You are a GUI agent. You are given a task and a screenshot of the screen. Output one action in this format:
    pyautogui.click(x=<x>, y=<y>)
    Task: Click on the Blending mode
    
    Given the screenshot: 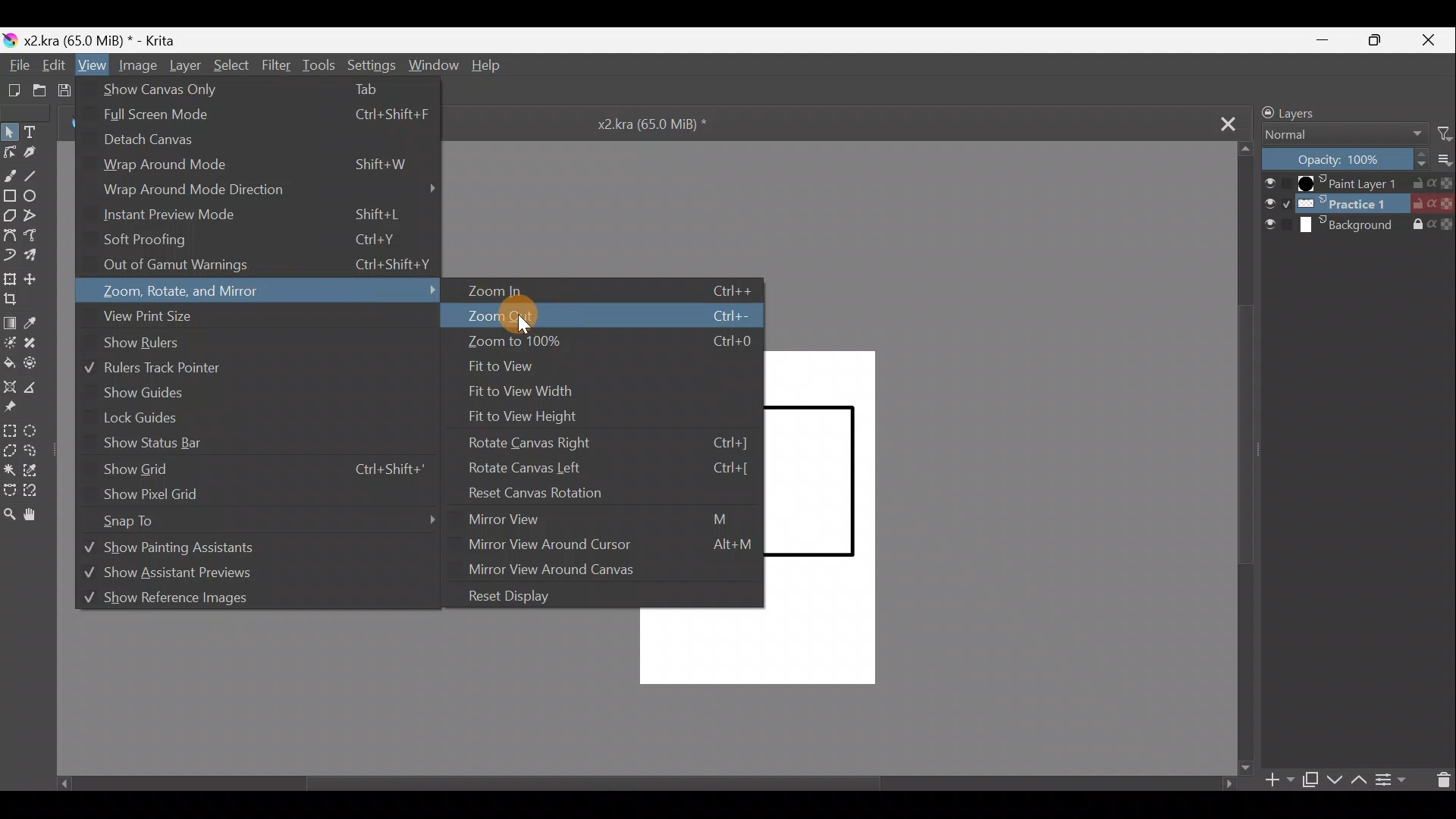 What is the action you would take?
    pyautogui.click(x=1346, y=136)
    